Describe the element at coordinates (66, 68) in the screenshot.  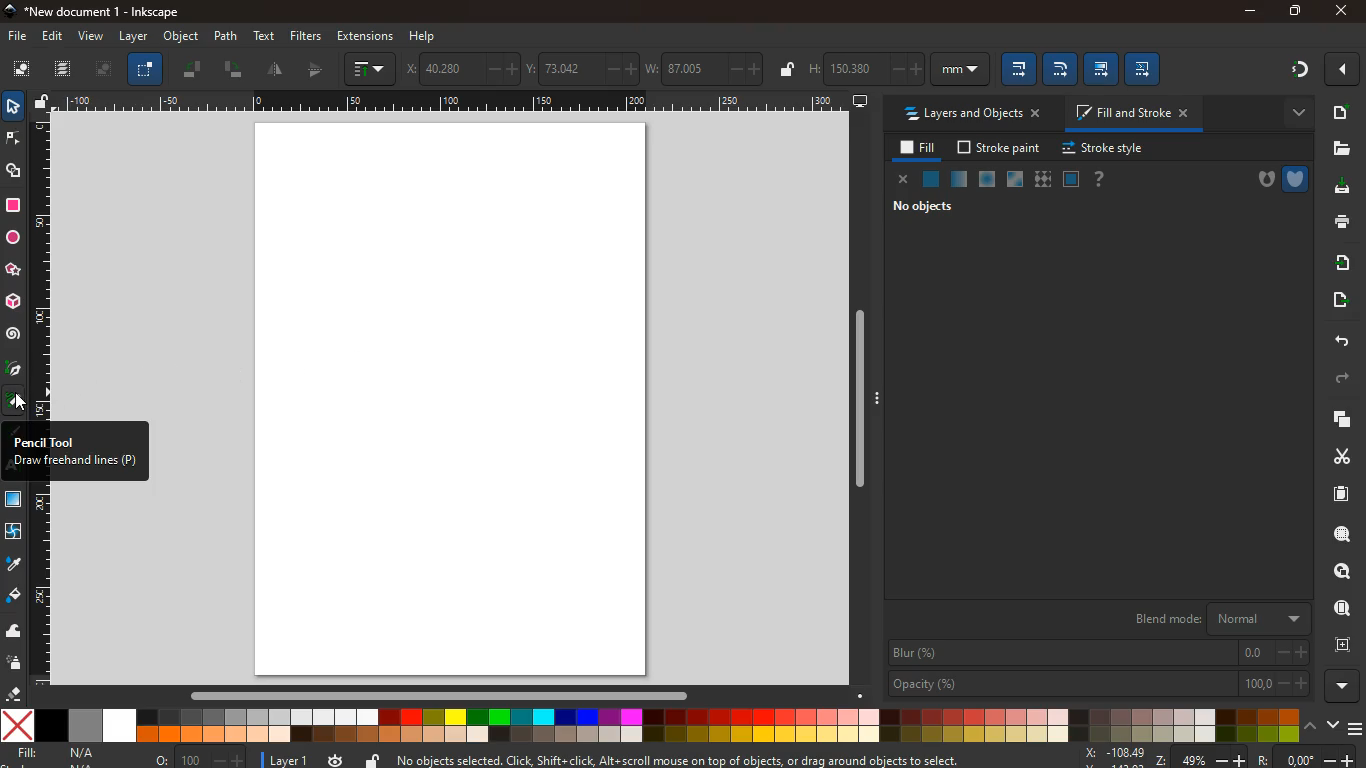
I see `layers` at that location.